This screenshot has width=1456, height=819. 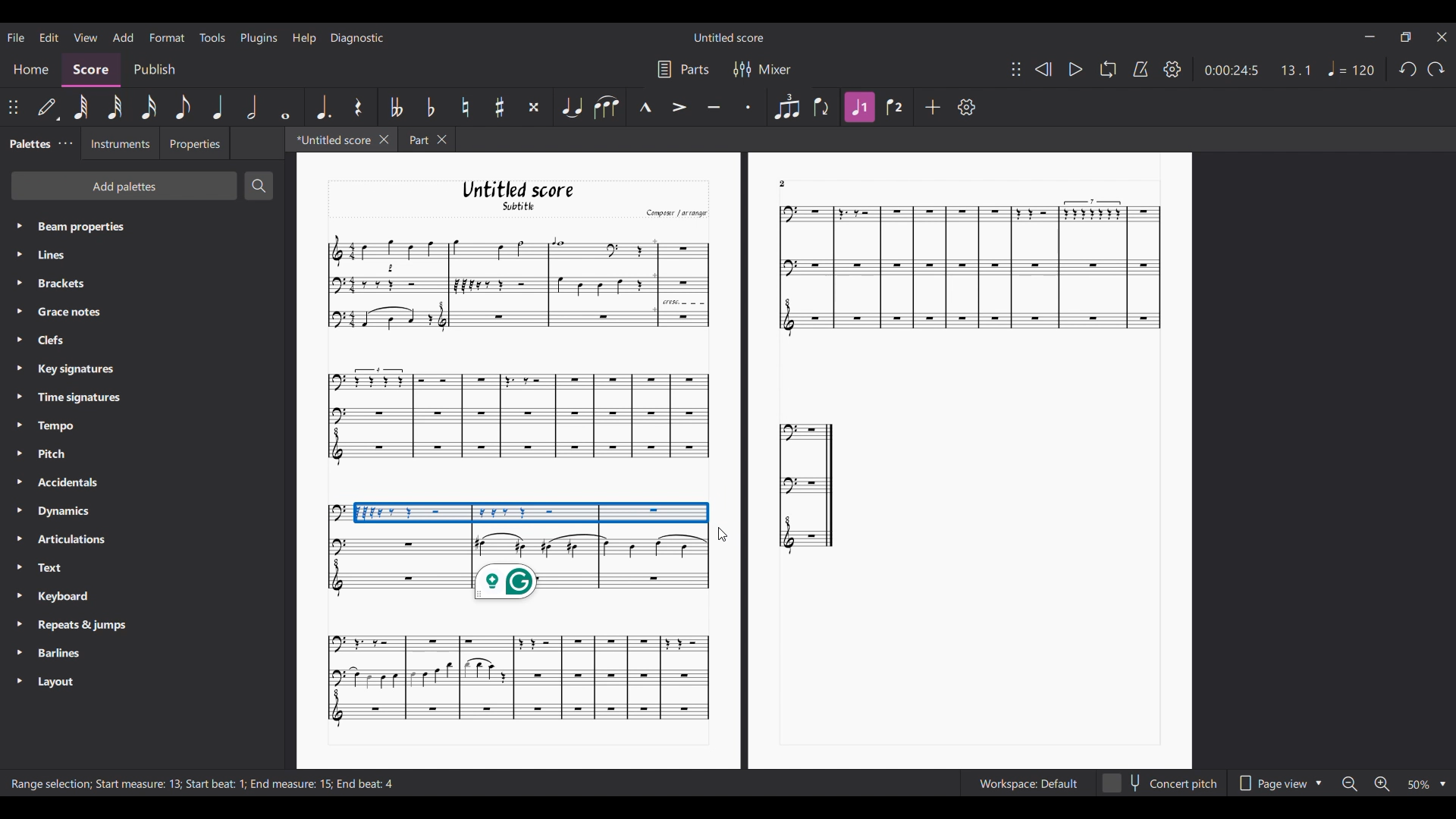 I want to click on Properties , so click(x=194, y=143).